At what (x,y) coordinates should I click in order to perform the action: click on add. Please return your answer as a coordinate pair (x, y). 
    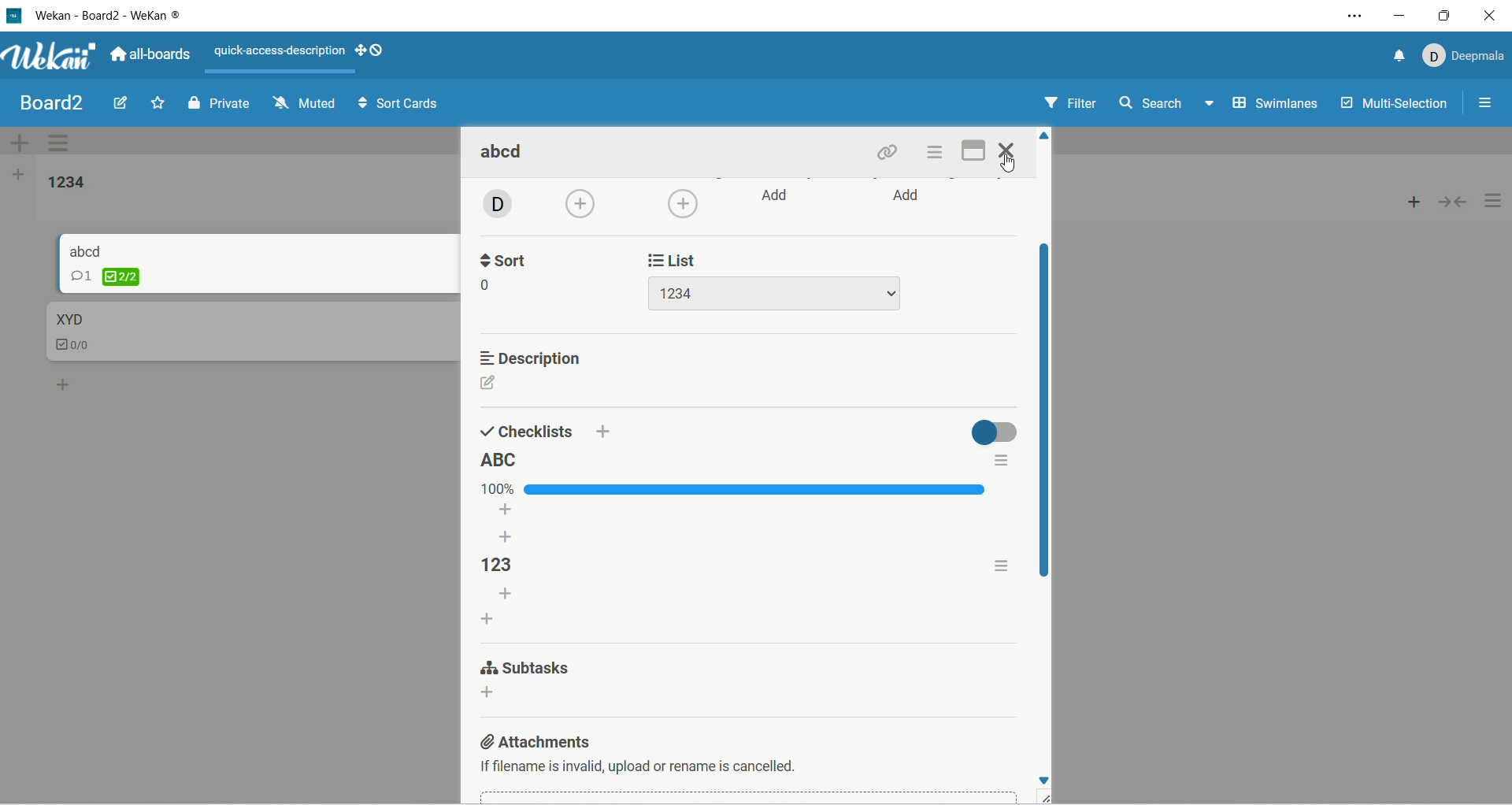
    Looking at the image, I should click on (1411, 205).